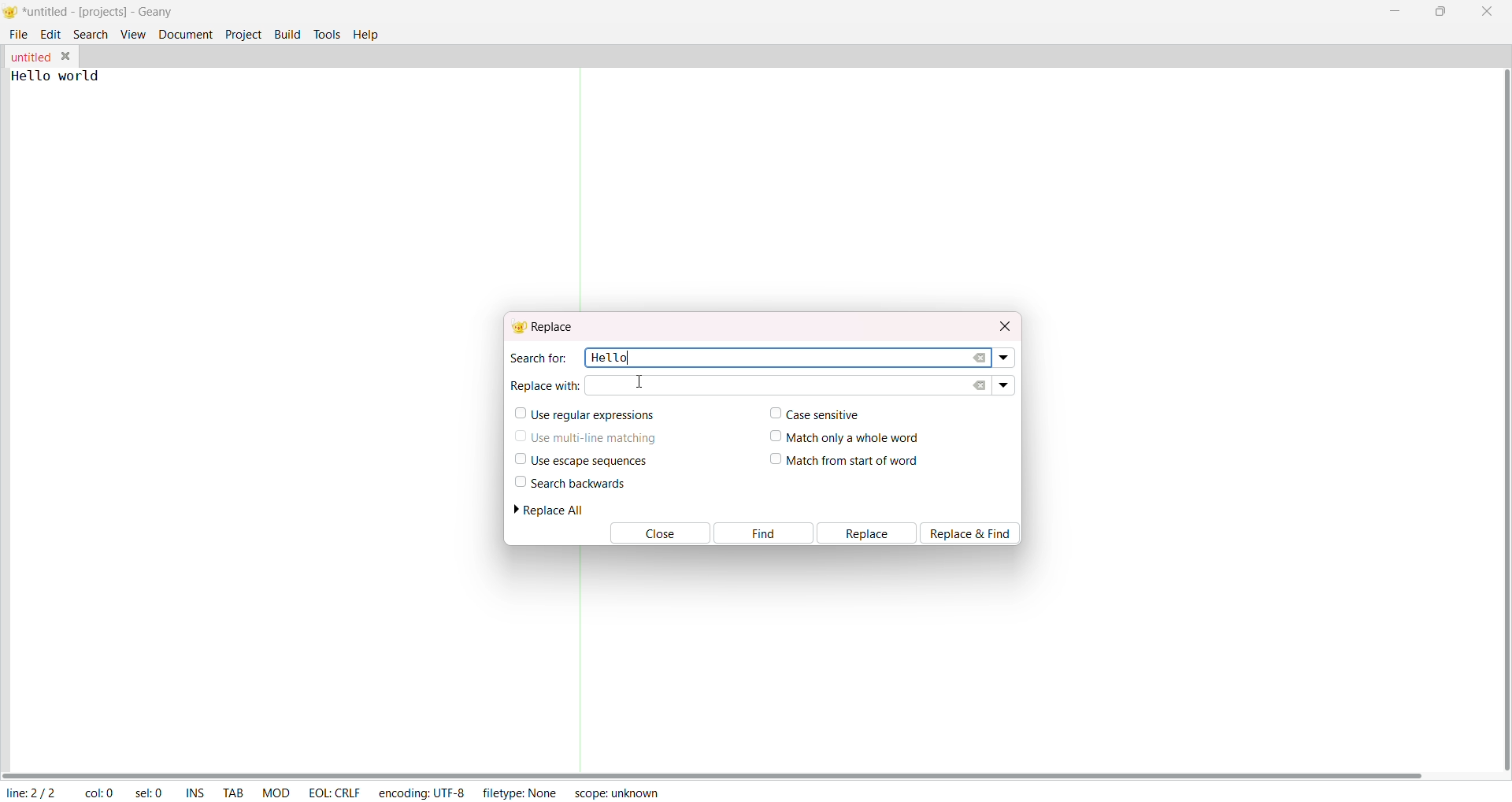  What do you see at coordinates (555, 510) in the screenshot?
I see `replace all` at bounding box center [555, 510].